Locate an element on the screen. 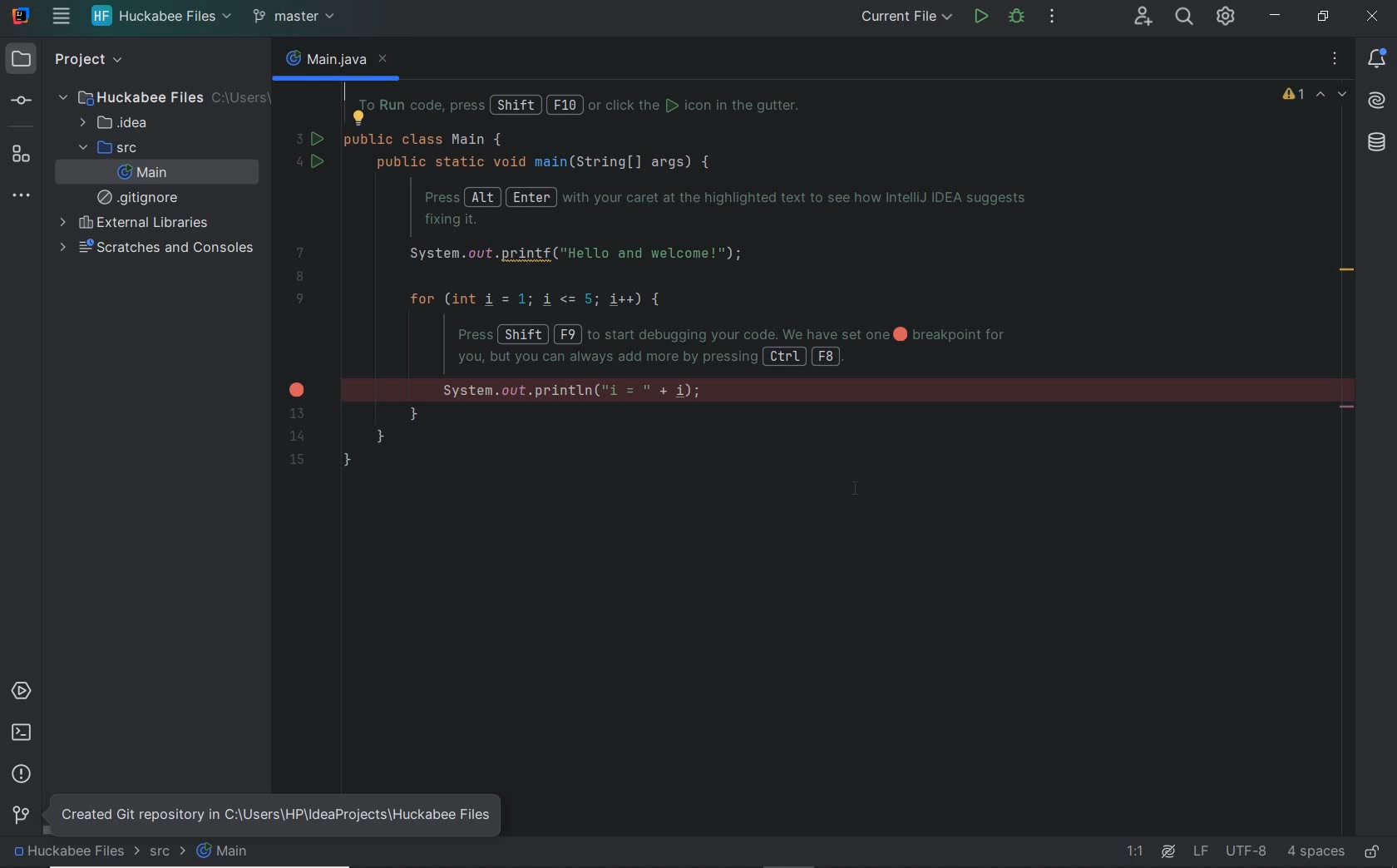  project file name is located at coordinates (159, 16).